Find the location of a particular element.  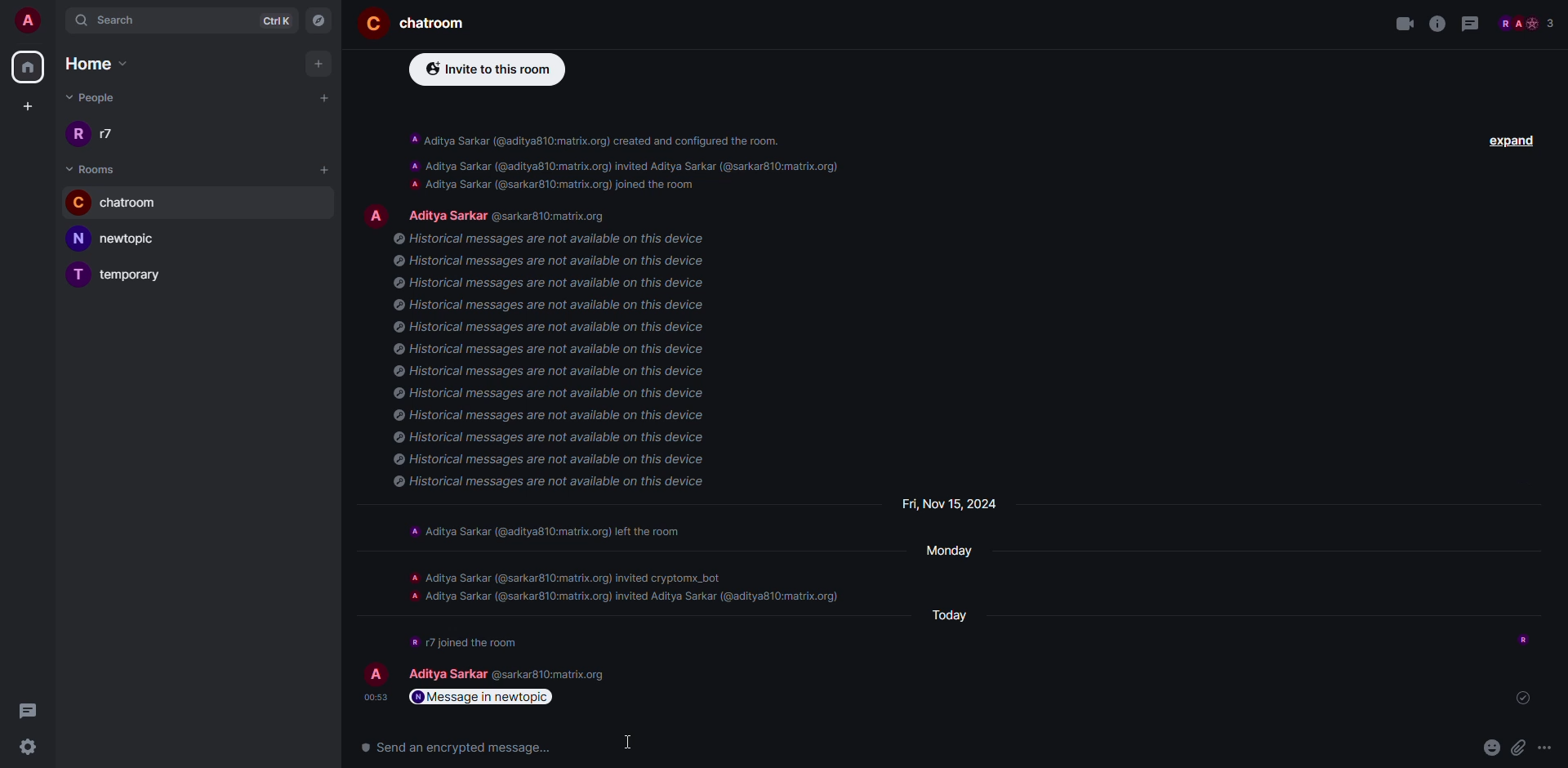

account is located at coordinates (28, 20).